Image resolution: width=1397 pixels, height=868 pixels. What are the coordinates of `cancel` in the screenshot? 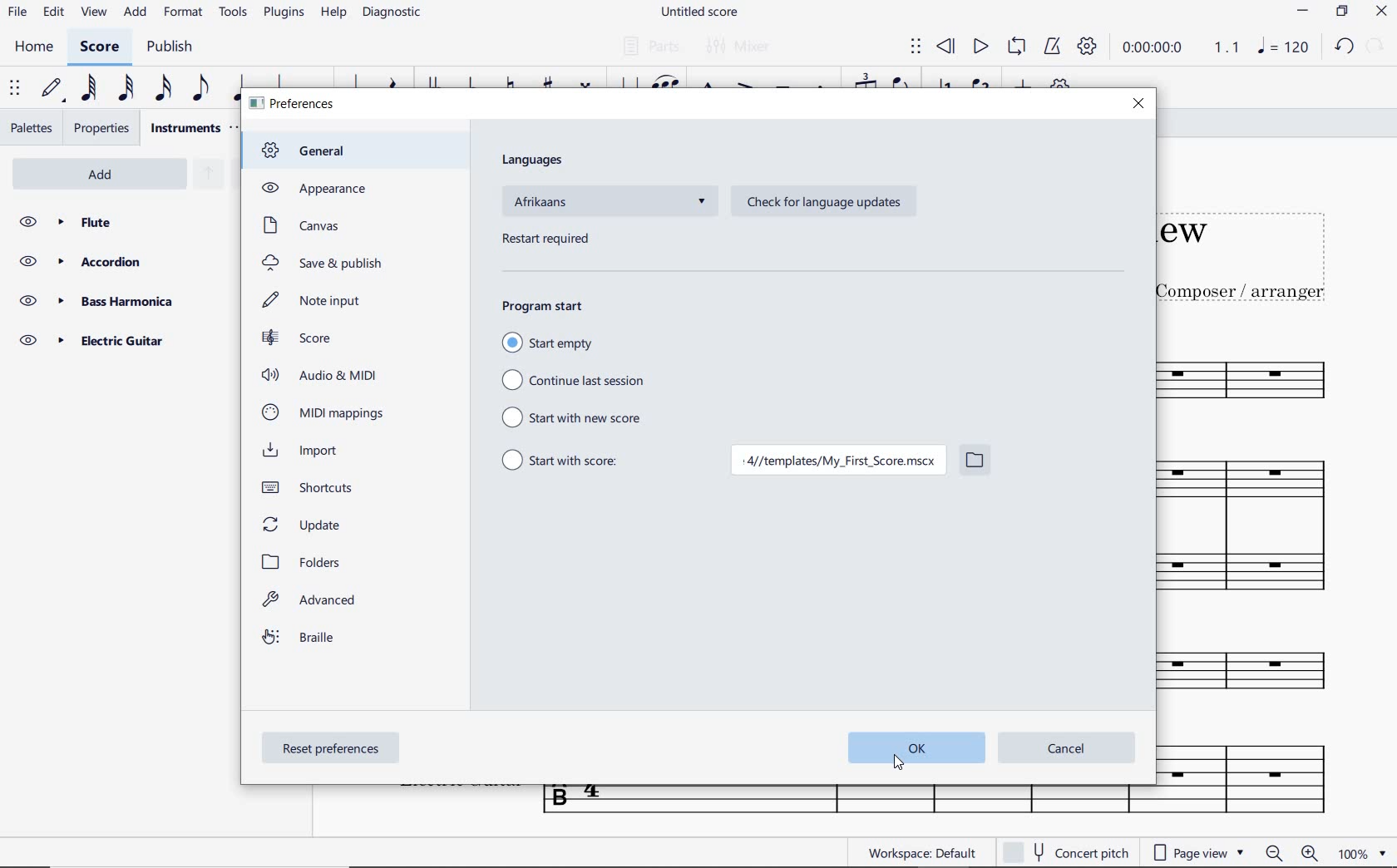 It's located at (1066, 748).